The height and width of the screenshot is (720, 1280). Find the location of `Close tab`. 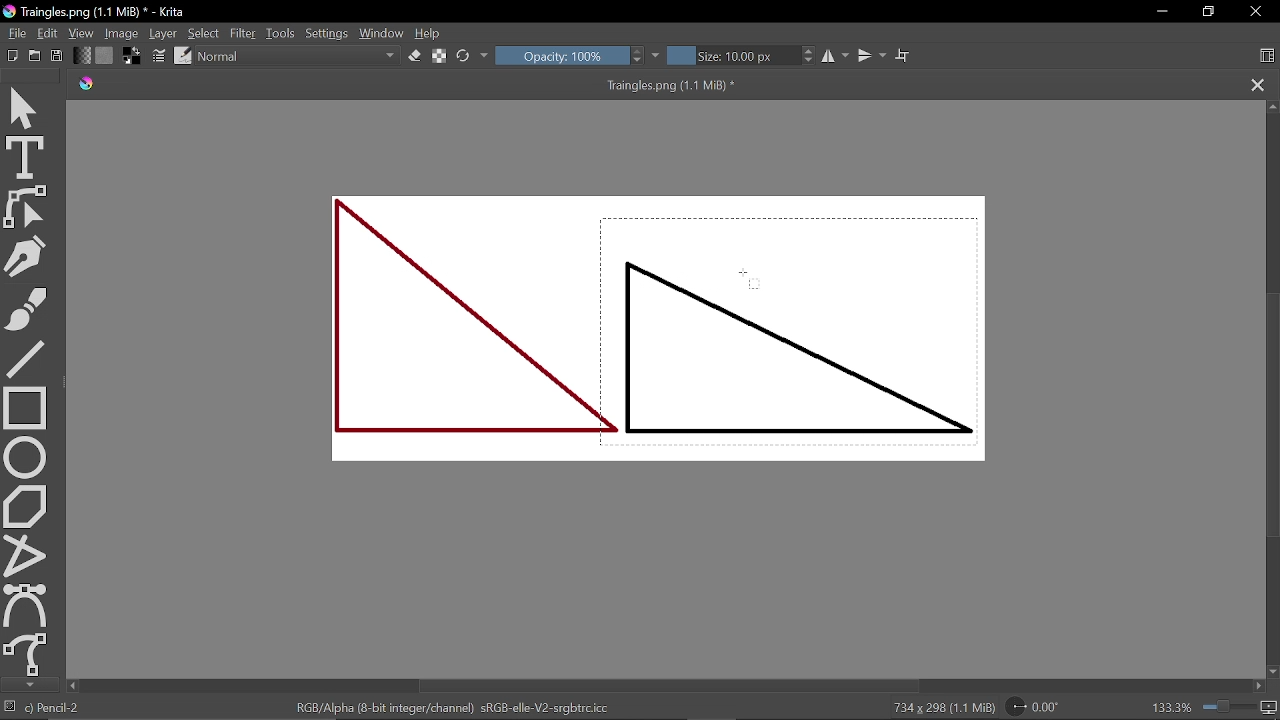

Close tab is located at coordinates (1257, 86).